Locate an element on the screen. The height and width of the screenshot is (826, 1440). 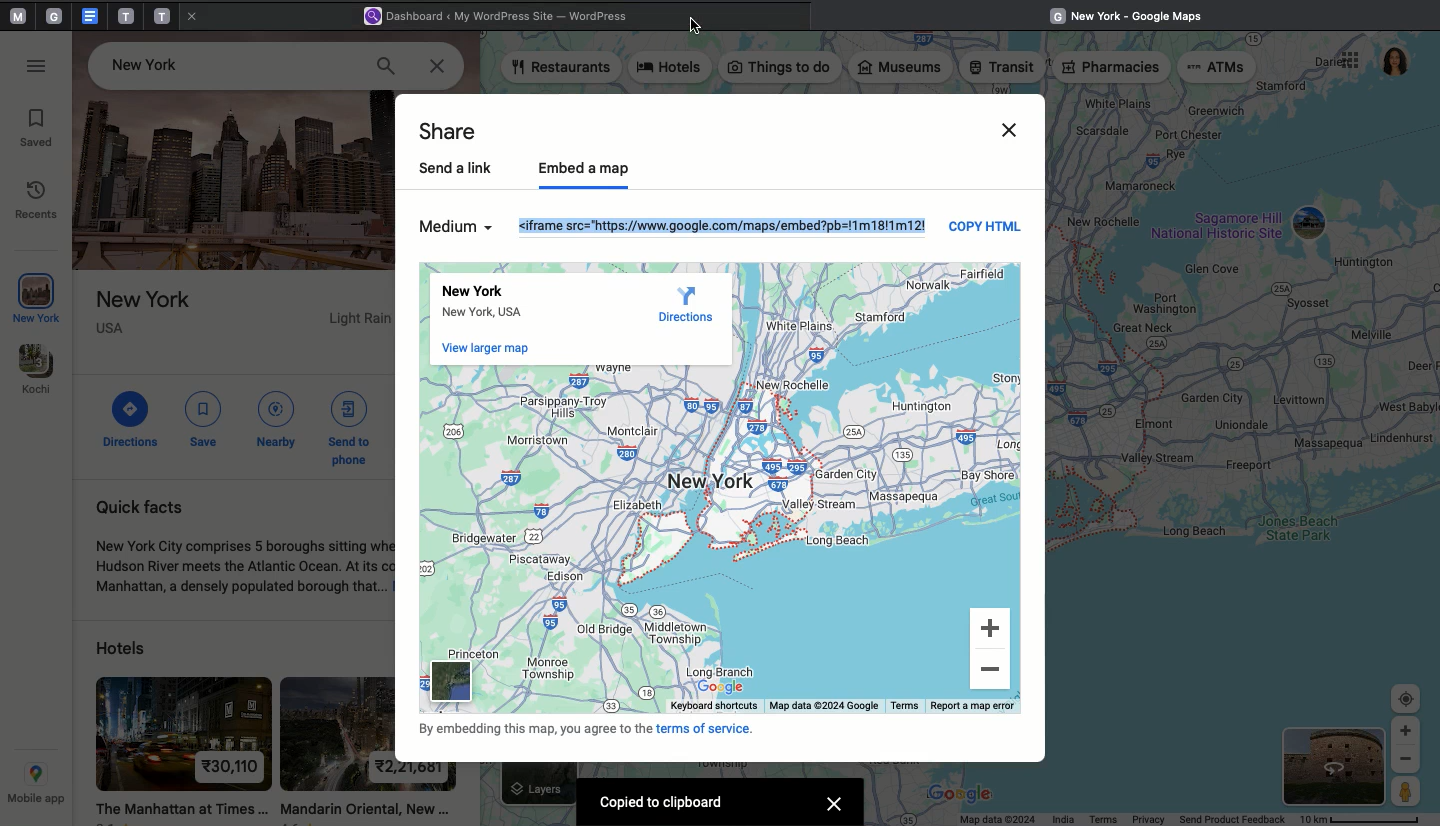
Target is located at coordinates (1406, 700).